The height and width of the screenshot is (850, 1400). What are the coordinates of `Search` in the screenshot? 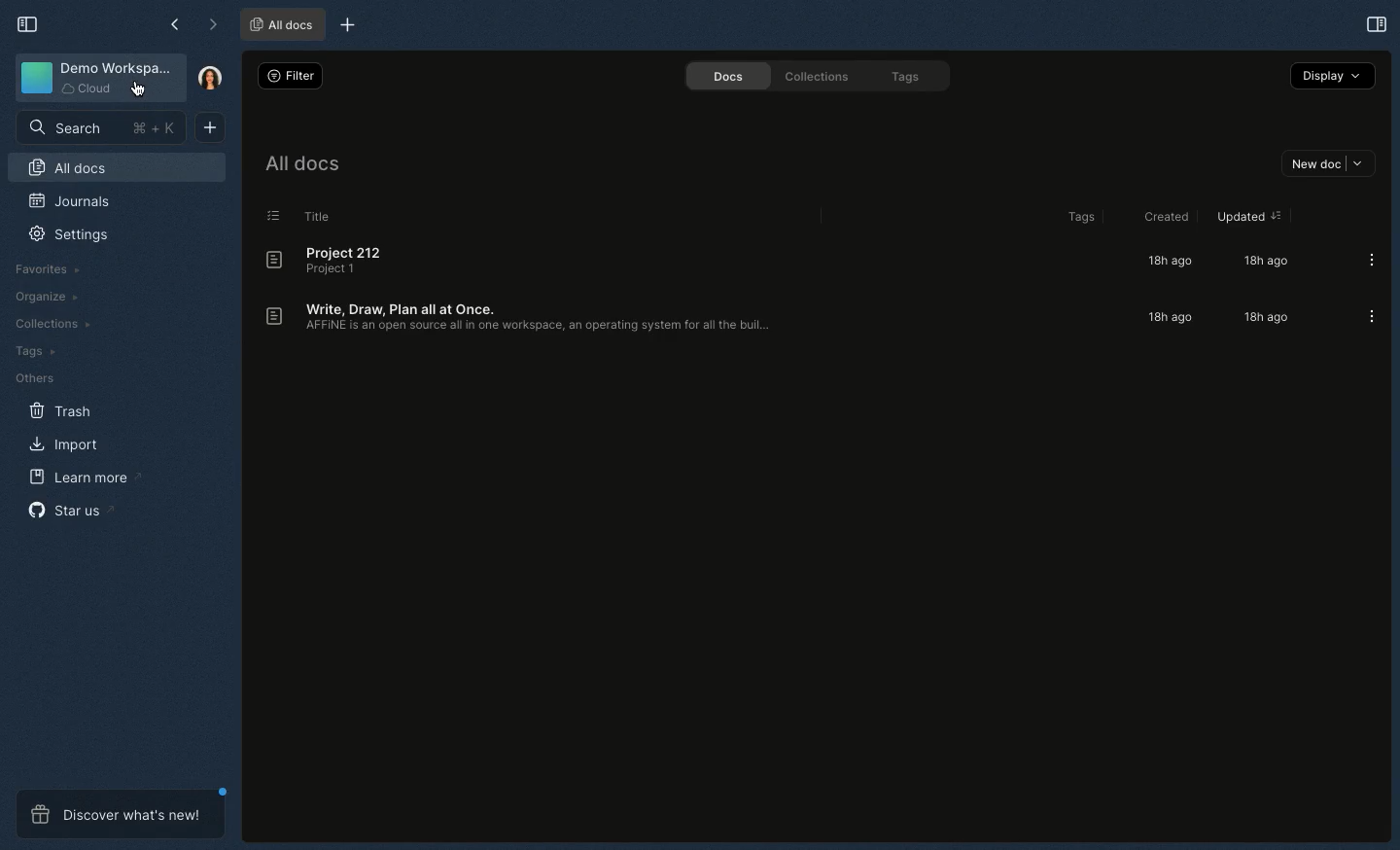 It's located at (96, 127).